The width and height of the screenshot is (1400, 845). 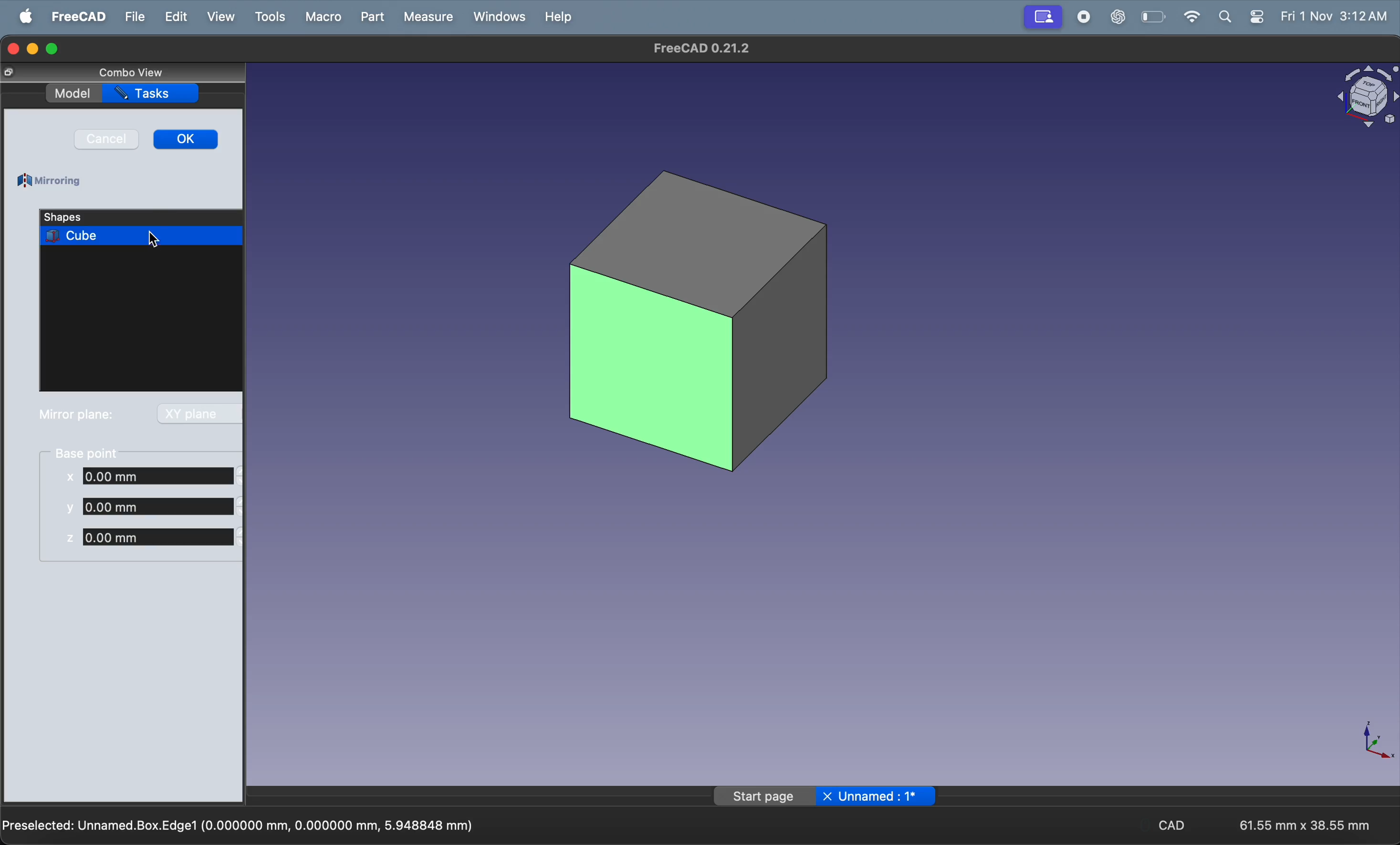 I want to click on axis, so click(x=1368, y=742).